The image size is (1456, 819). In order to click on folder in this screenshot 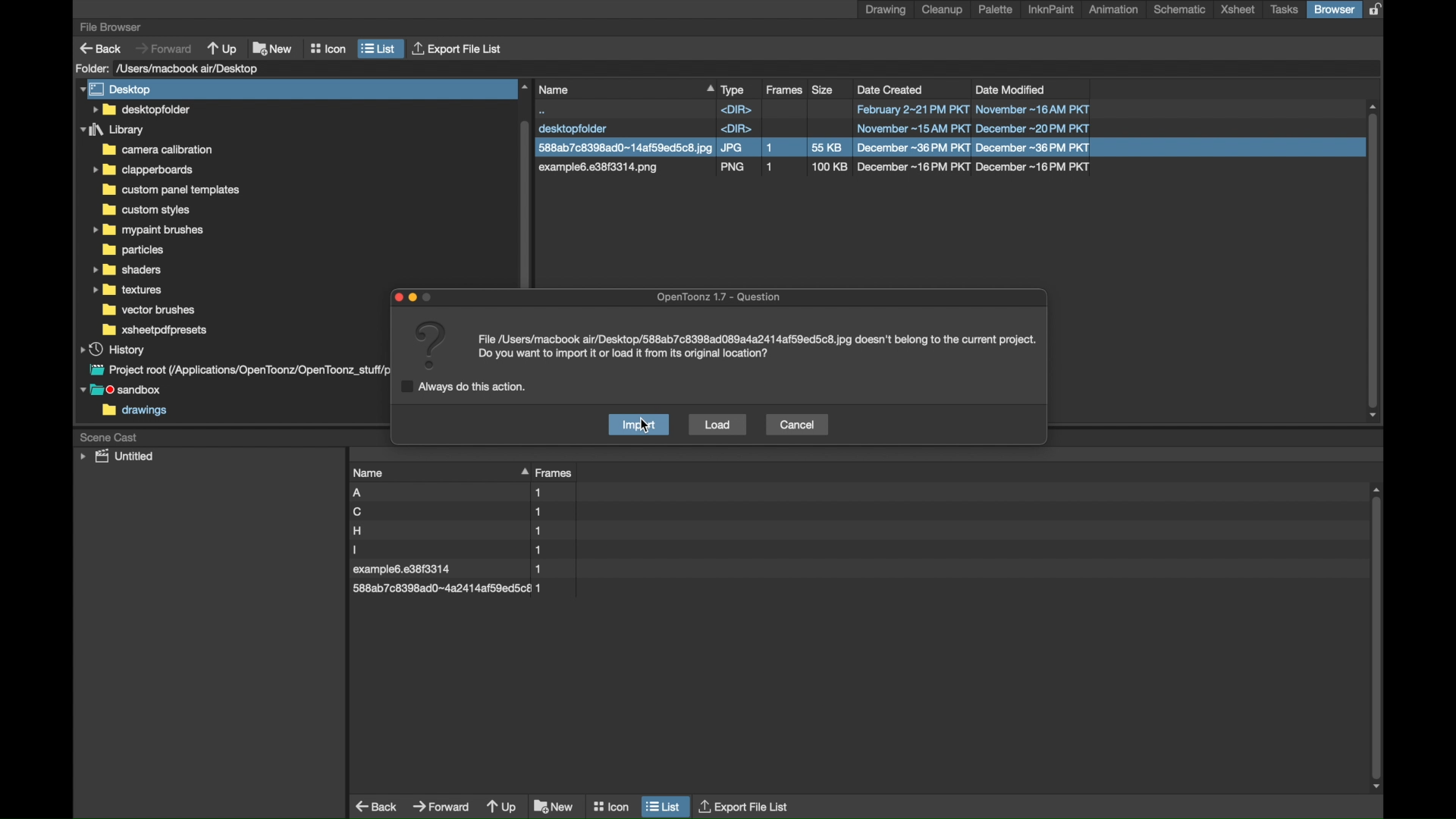, I will do `click(146, 210)`.